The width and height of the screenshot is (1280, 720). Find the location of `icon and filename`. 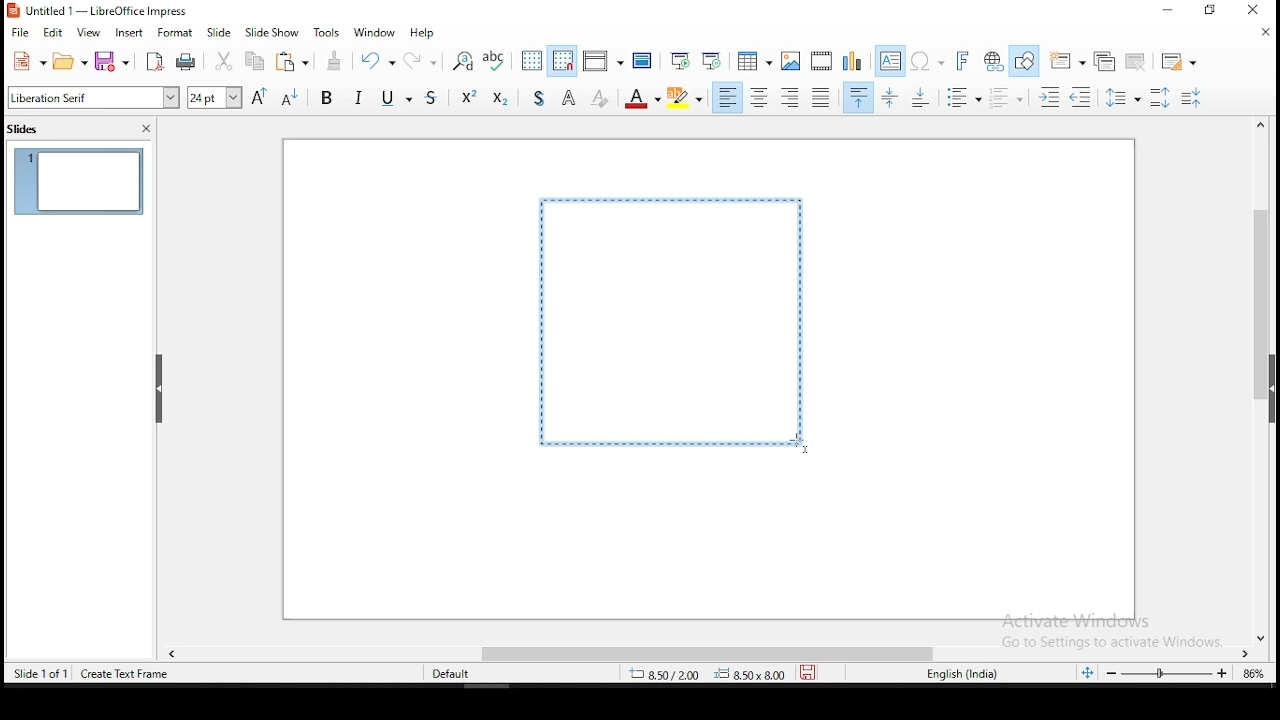

icon and filename is located at coordinates (104, 12).